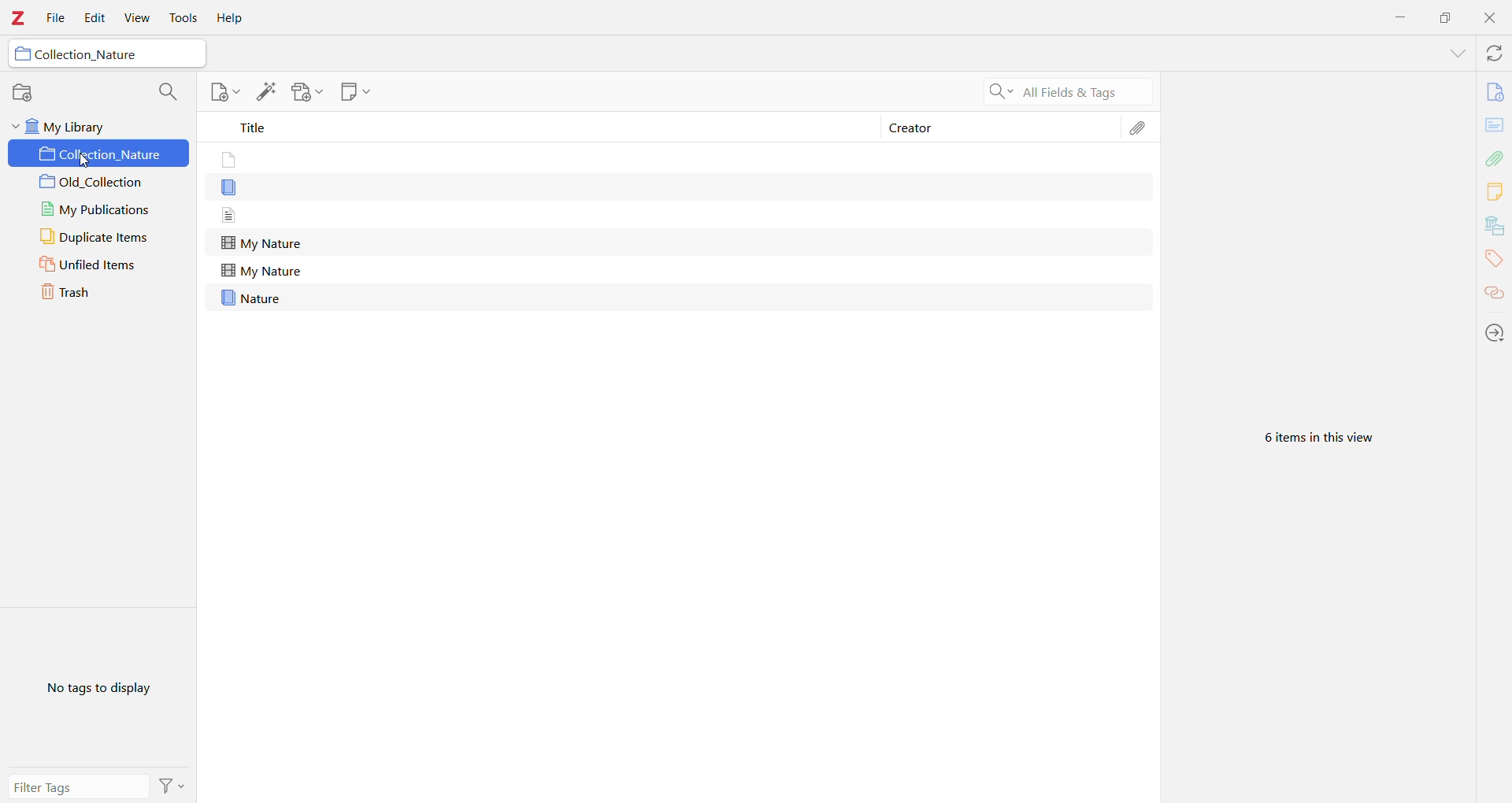  Describe the element at coordinates (1495, 334) in the screenshot. I see `Actions` at that location.